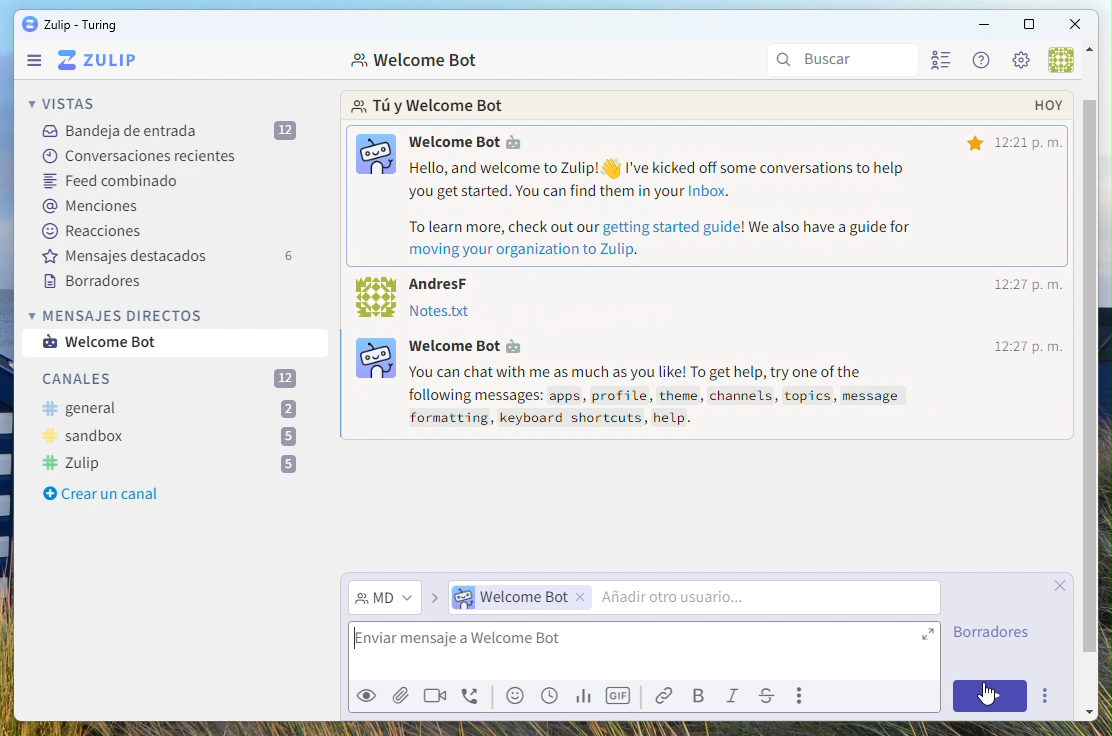  I want to click on hide menu, so click(1091, 52).